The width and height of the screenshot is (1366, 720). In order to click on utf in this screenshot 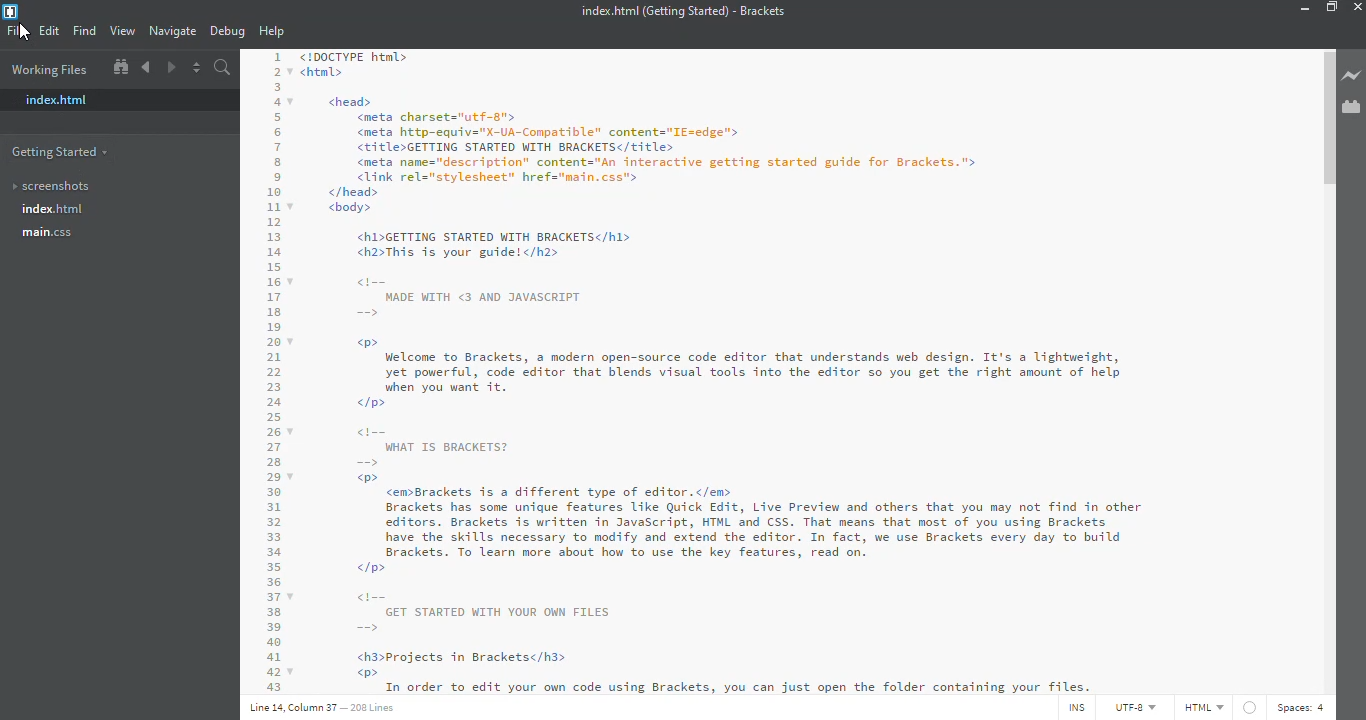, I will do `click(1135, 704)`.